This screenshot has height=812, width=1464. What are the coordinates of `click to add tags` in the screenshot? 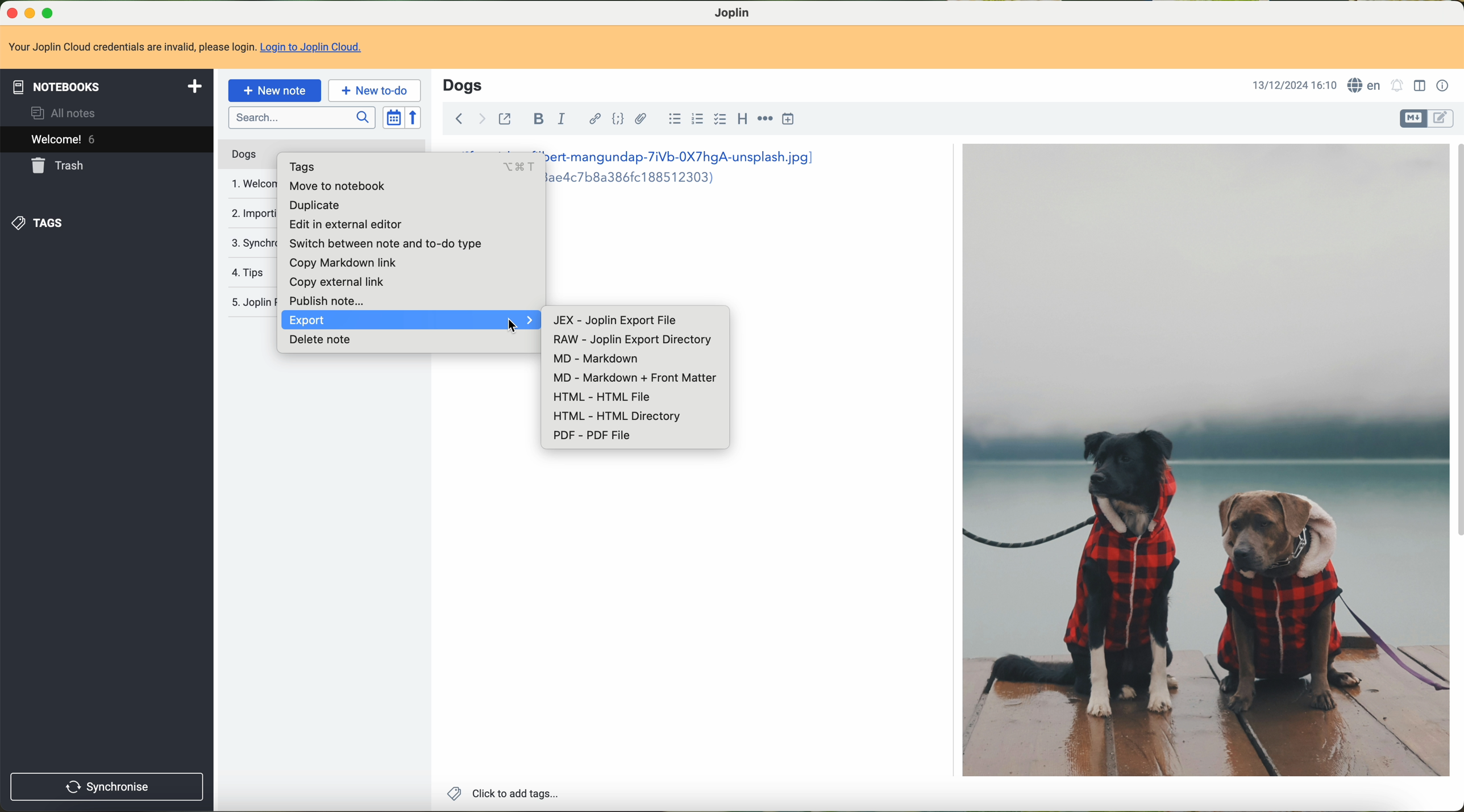 It's located at (501, 793).